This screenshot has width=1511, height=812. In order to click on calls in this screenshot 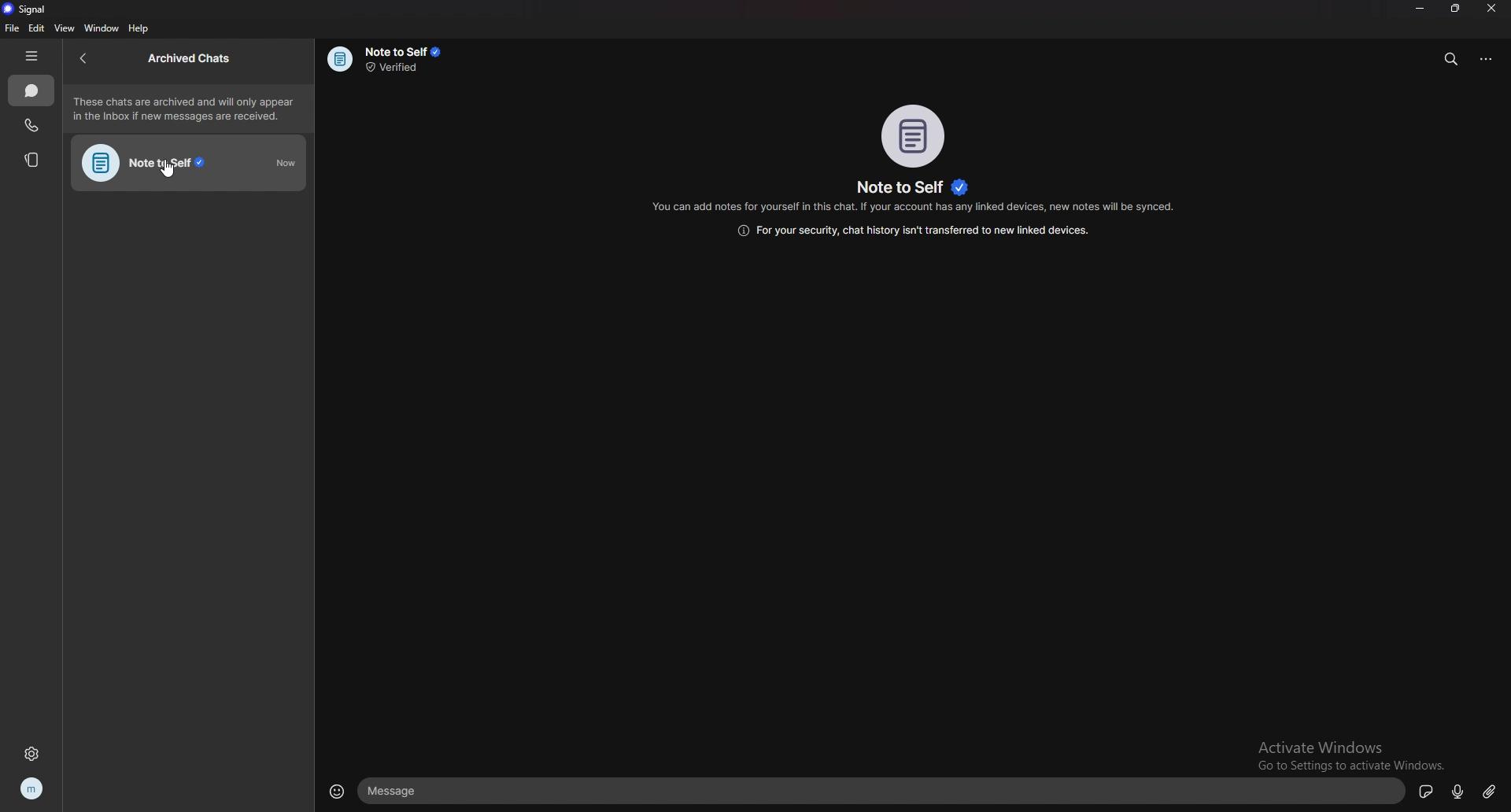, I will do `click(32, 125)`.